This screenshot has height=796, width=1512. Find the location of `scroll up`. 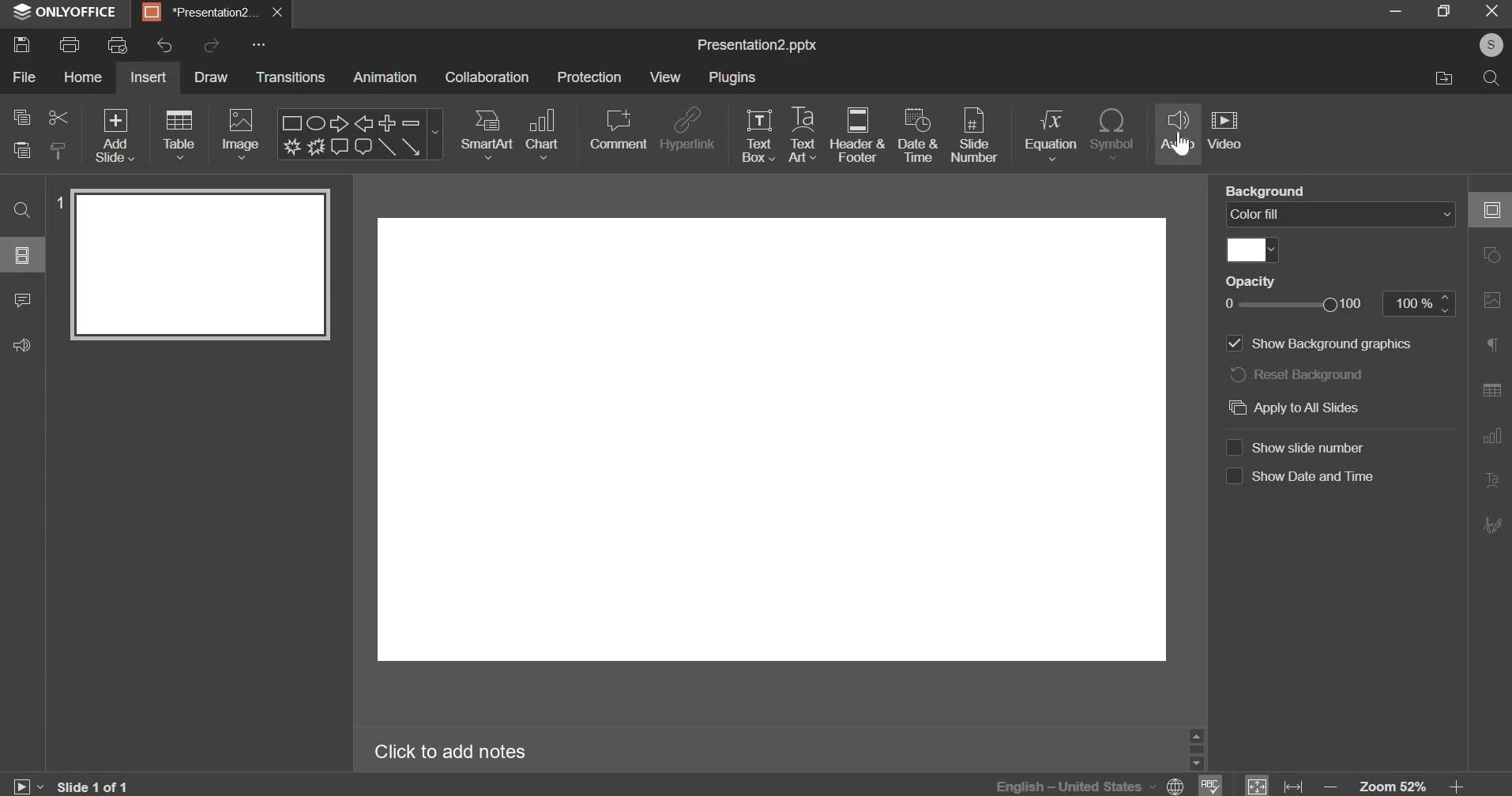

scroll up is located at coordinates (1196, 736).